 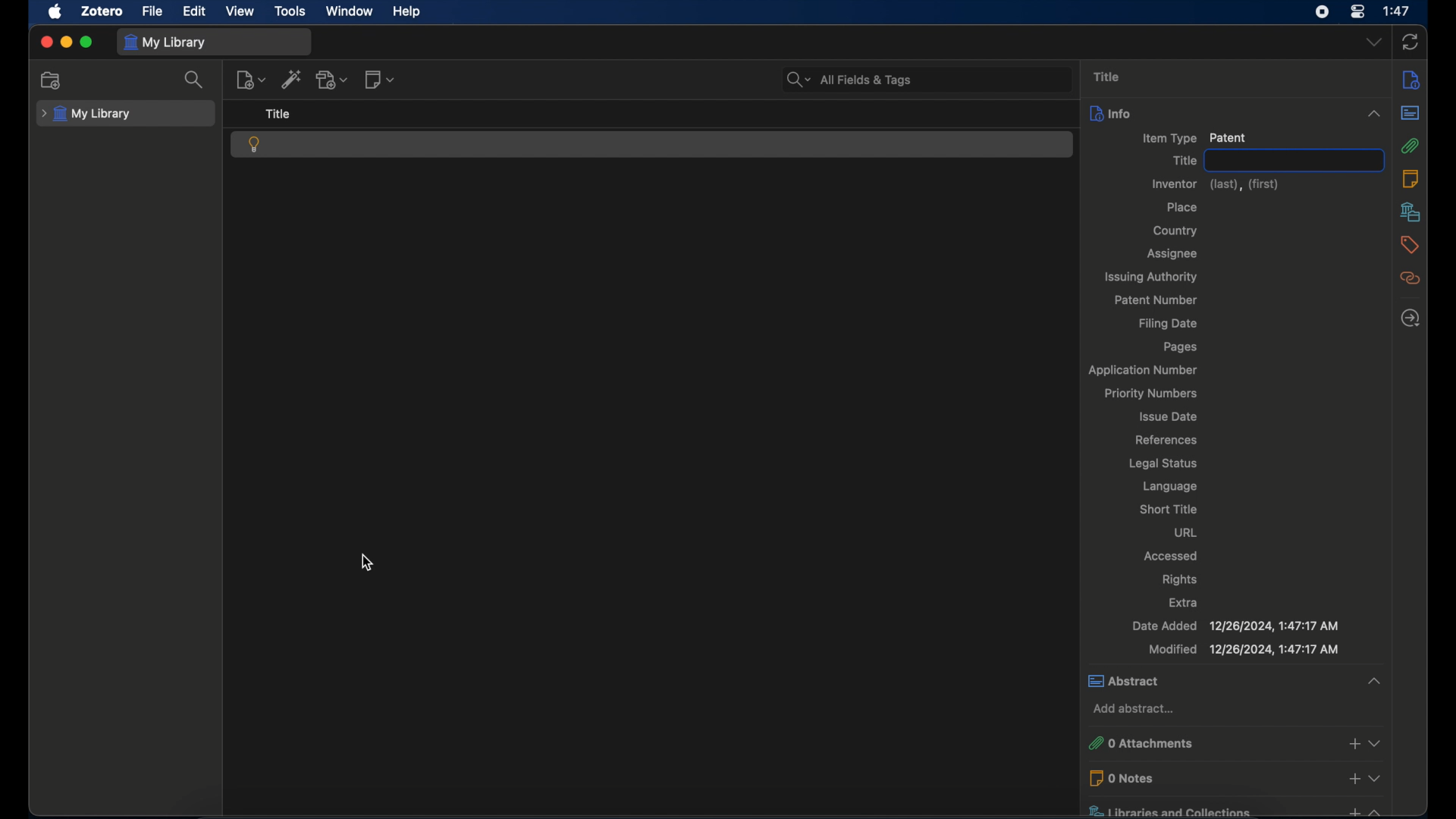 What do you see at coordinates (1410, 212) in the screenshot?
I see `libraries` at bounding box center [1410, 212].